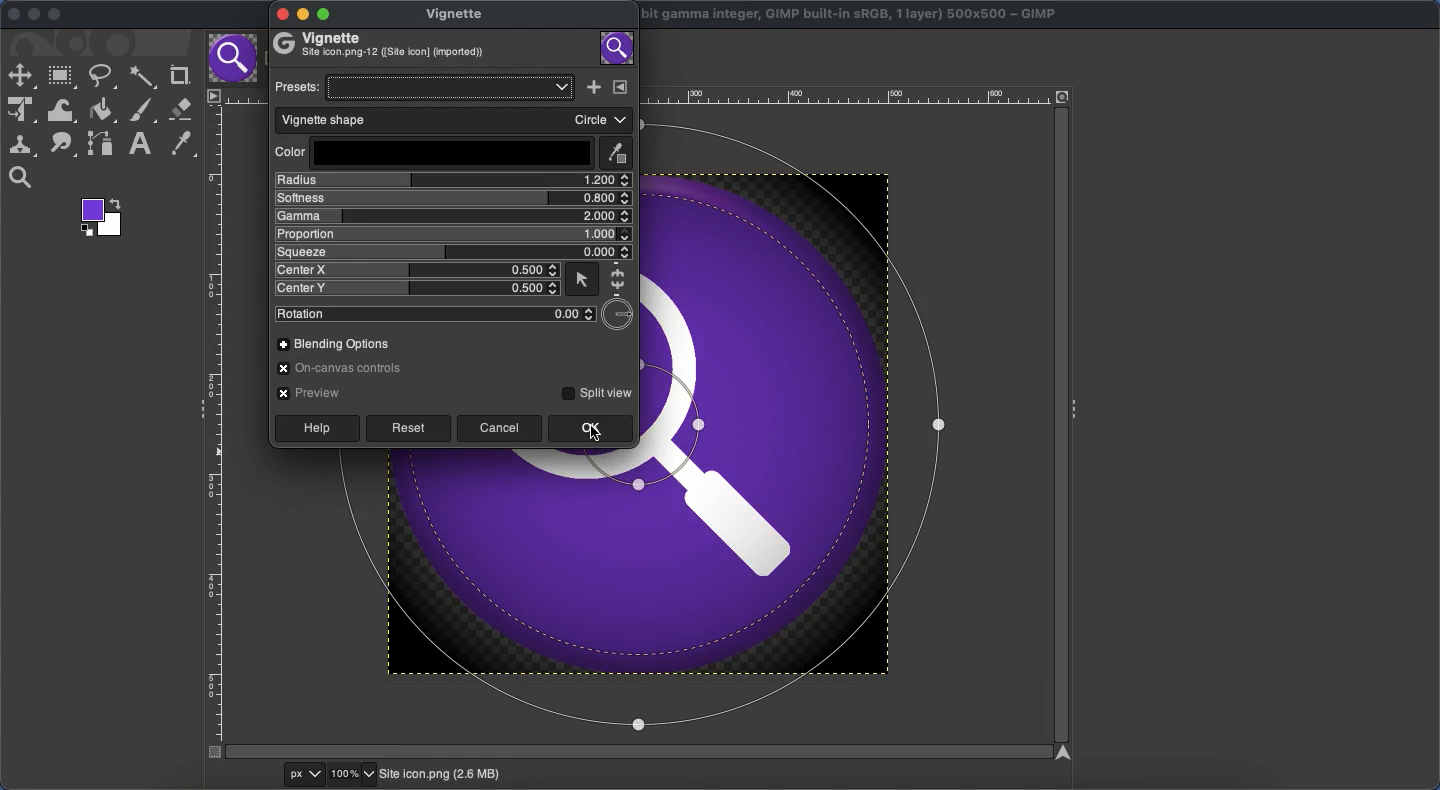  Describe the element at coordinates (19, 111) in the screenshot. I see `Unified transformation` at that location.